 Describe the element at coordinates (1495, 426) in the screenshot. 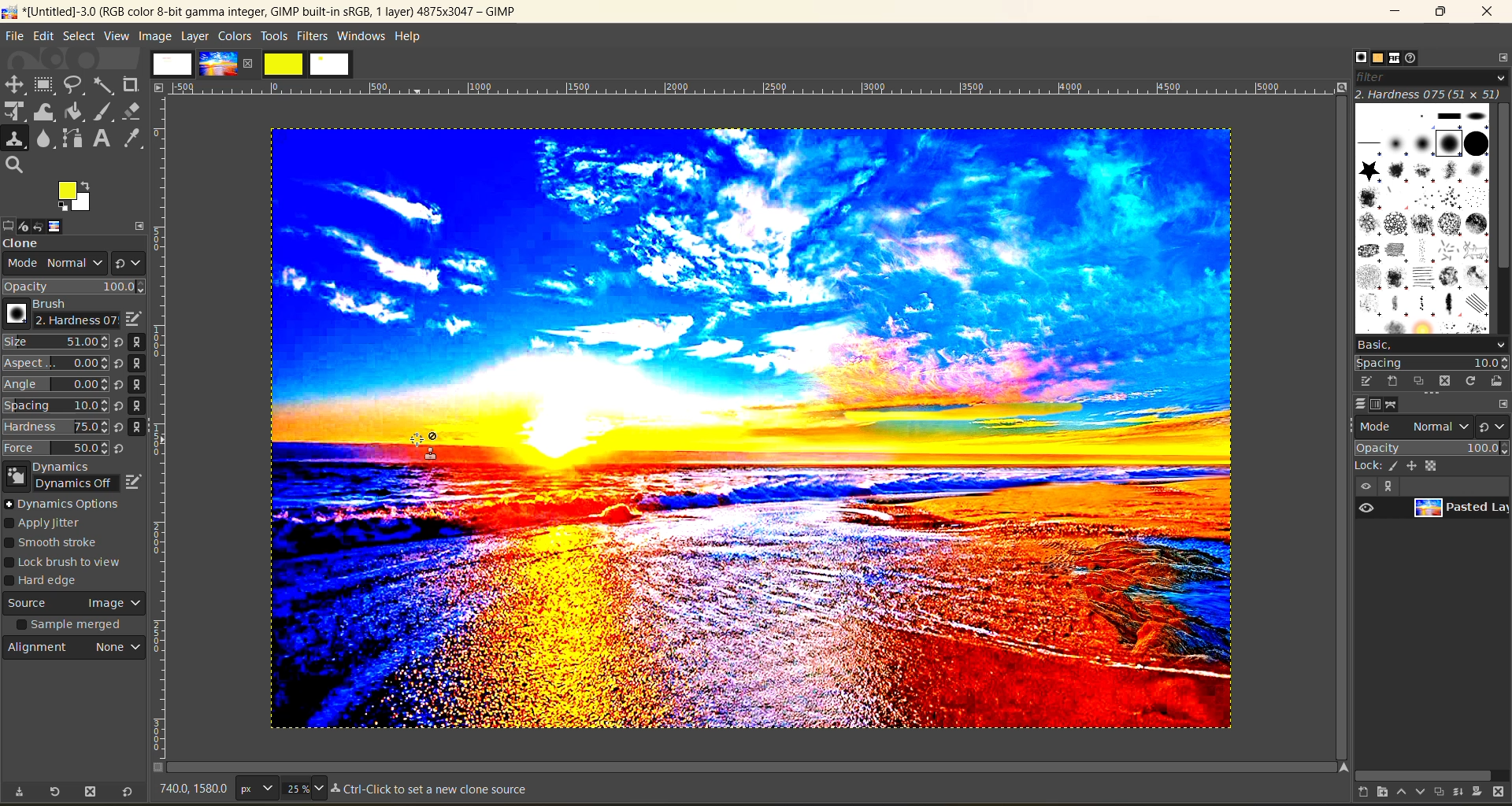

I see `switch to another group` at that location.